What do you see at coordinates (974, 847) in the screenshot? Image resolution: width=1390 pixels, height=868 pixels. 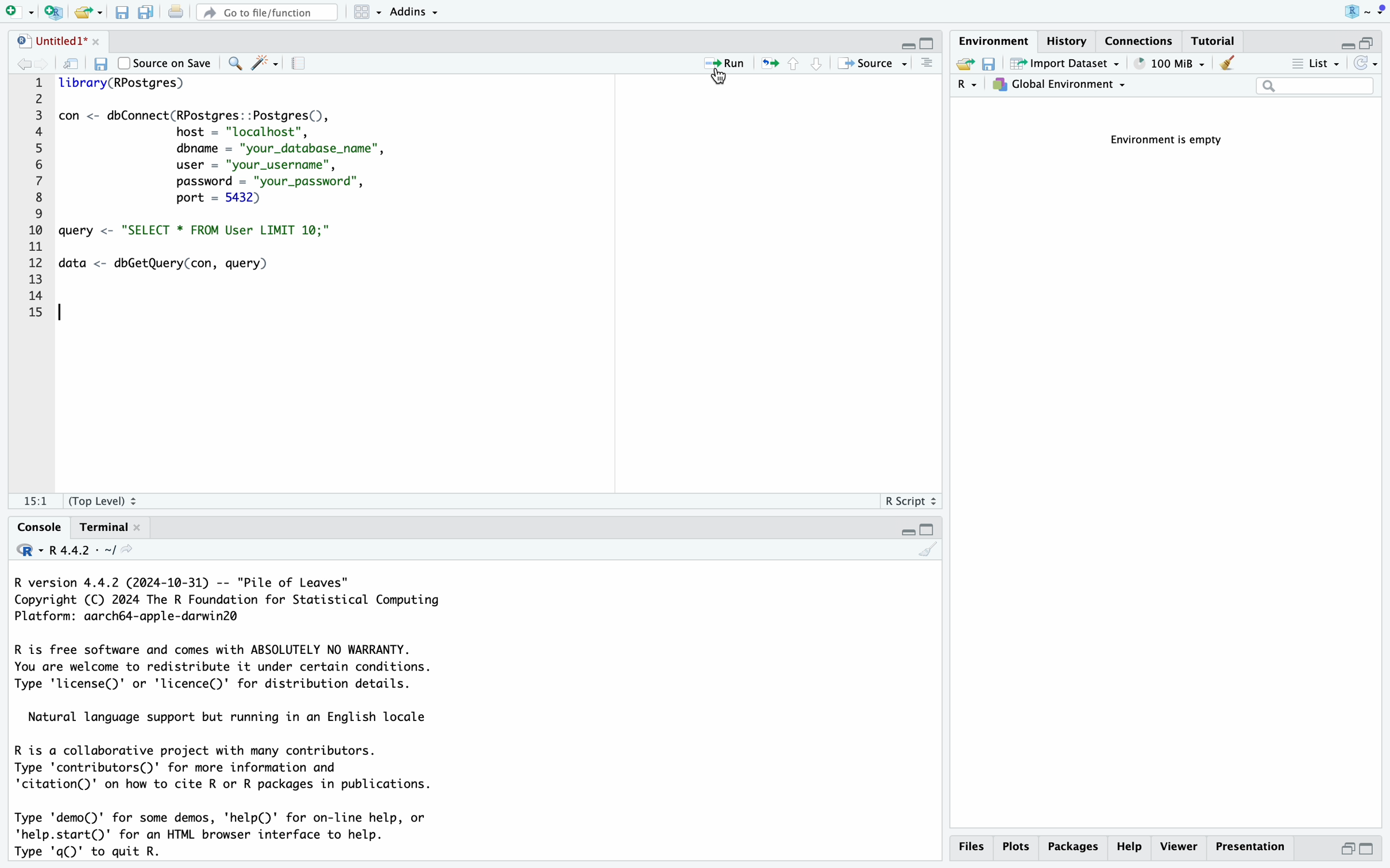 I see `files` at bounding box center [974, 847].